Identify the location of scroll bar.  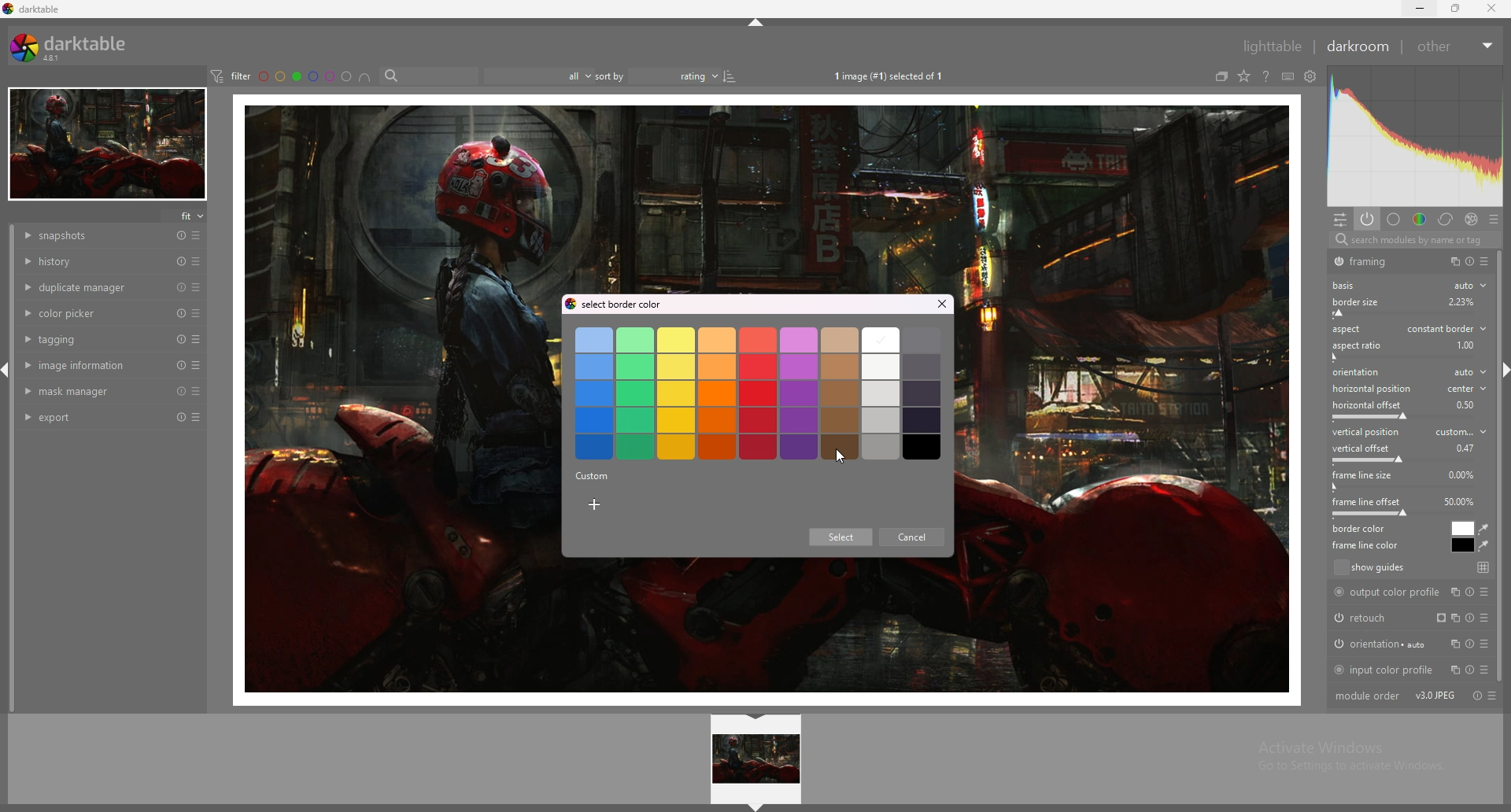
(1502, 471).